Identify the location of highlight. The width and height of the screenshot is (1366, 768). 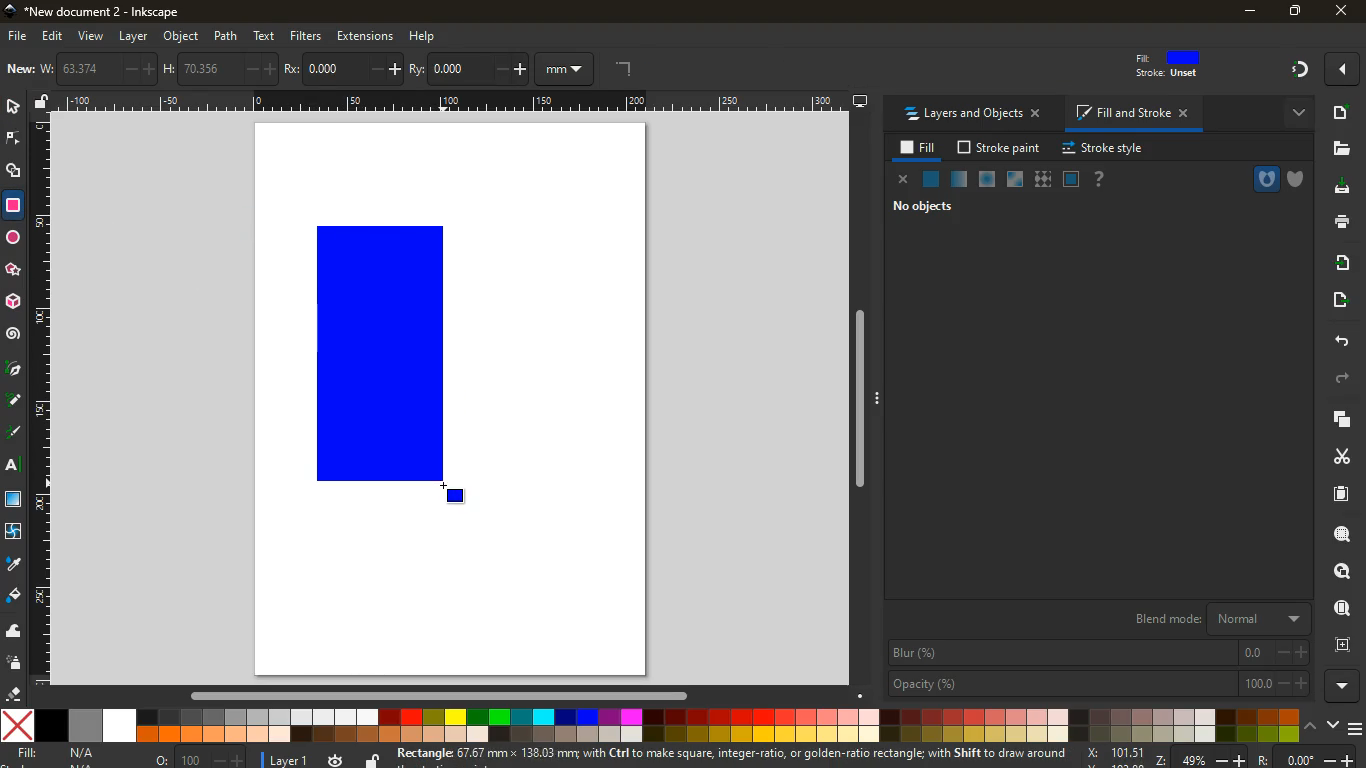
(17, 434).